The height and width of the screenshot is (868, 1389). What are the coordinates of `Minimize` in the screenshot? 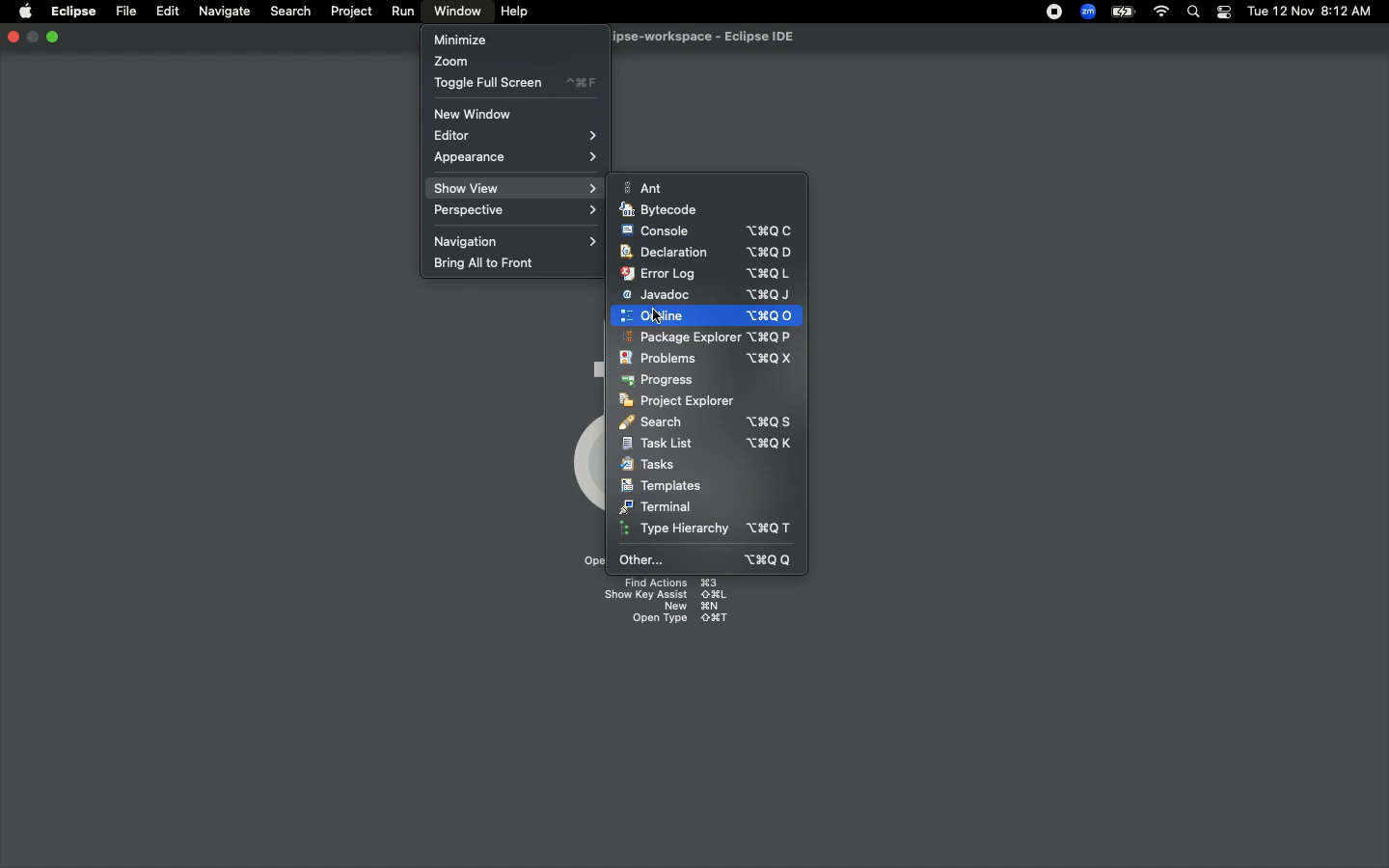 It's located at (33, 38).